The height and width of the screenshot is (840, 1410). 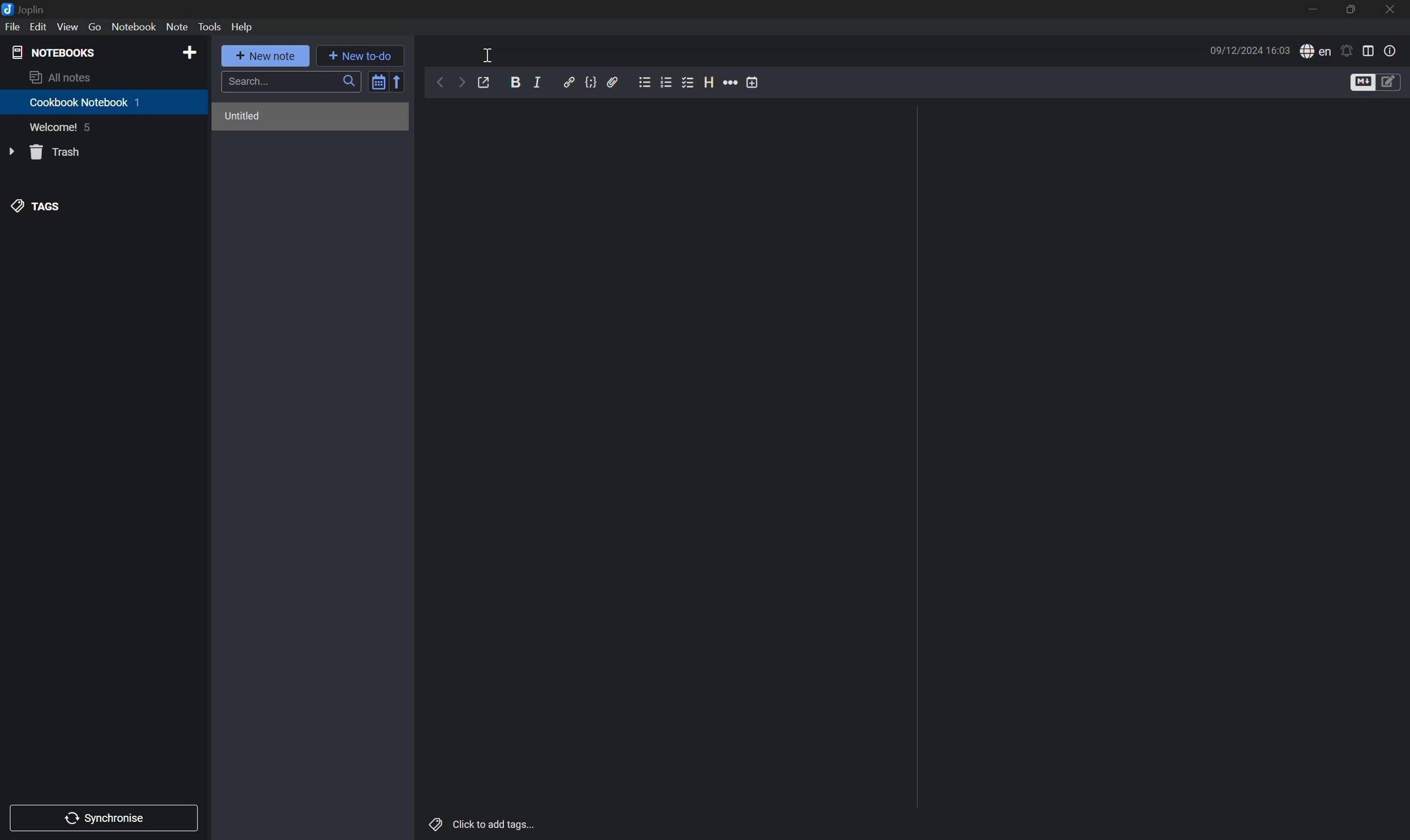 I want to click on New to-do, so click(x=359, y=54).